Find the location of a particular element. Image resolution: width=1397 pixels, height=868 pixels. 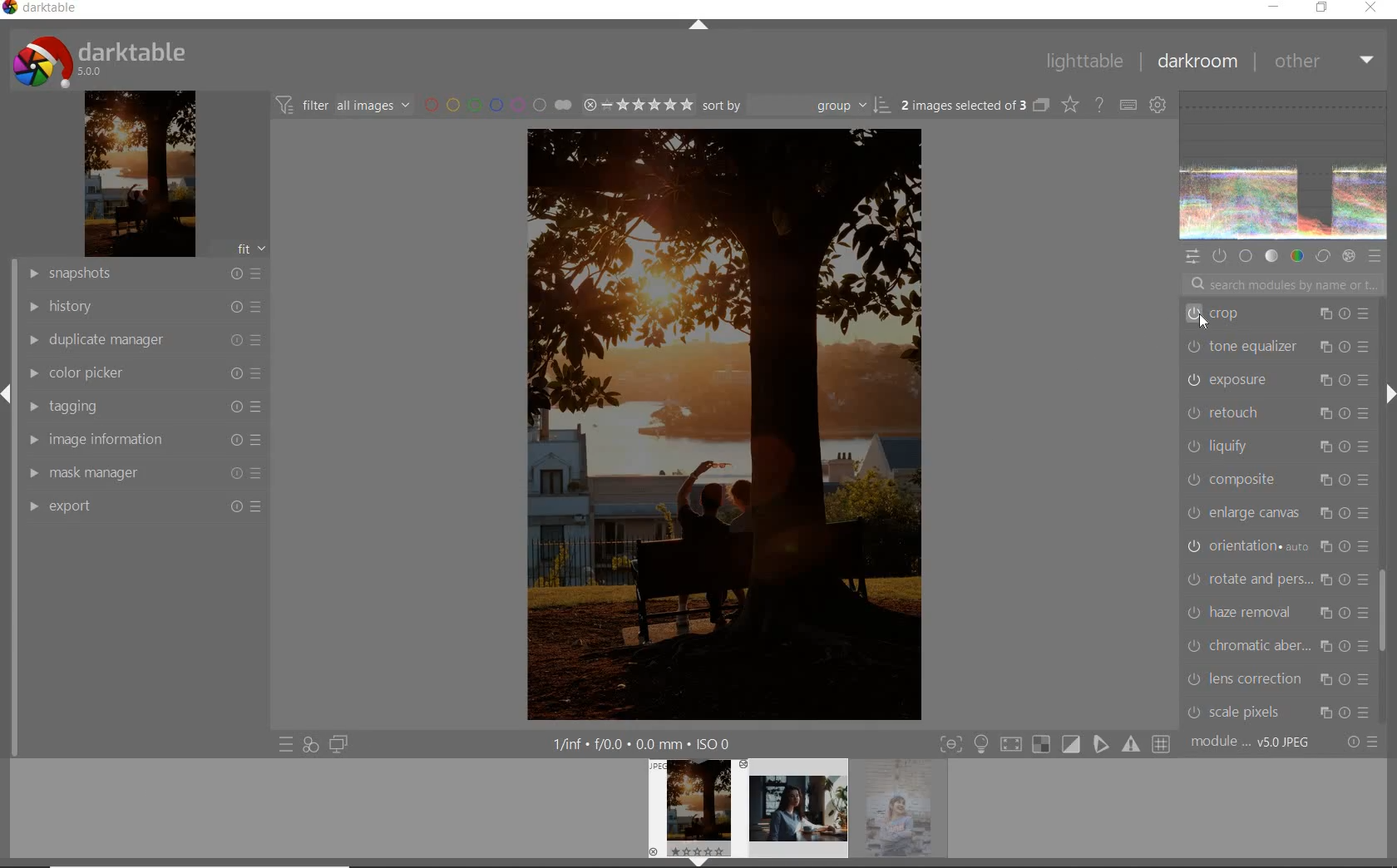

filter by image color label is located at coordinates (496, 104).